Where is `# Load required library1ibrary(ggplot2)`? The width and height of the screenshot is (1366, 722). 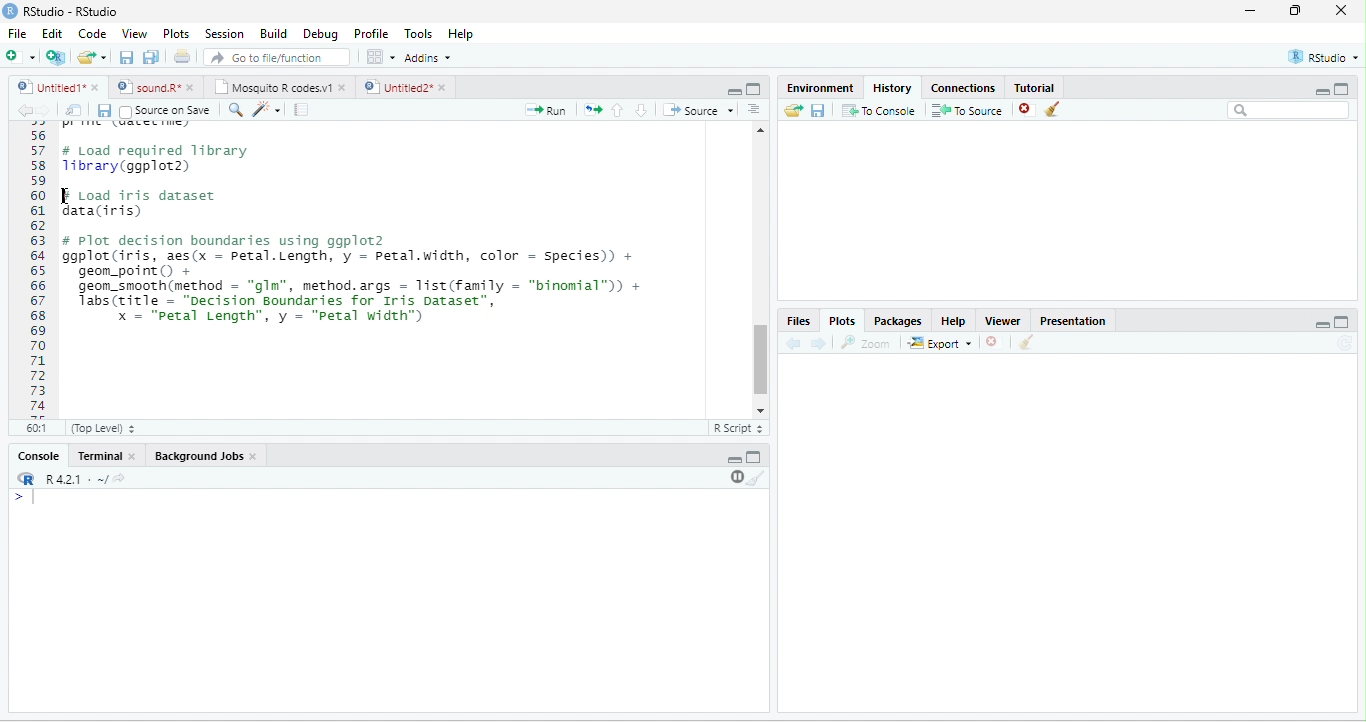
# Load required library1ibrary(ggplot2) is located at coordinates (157, 159).